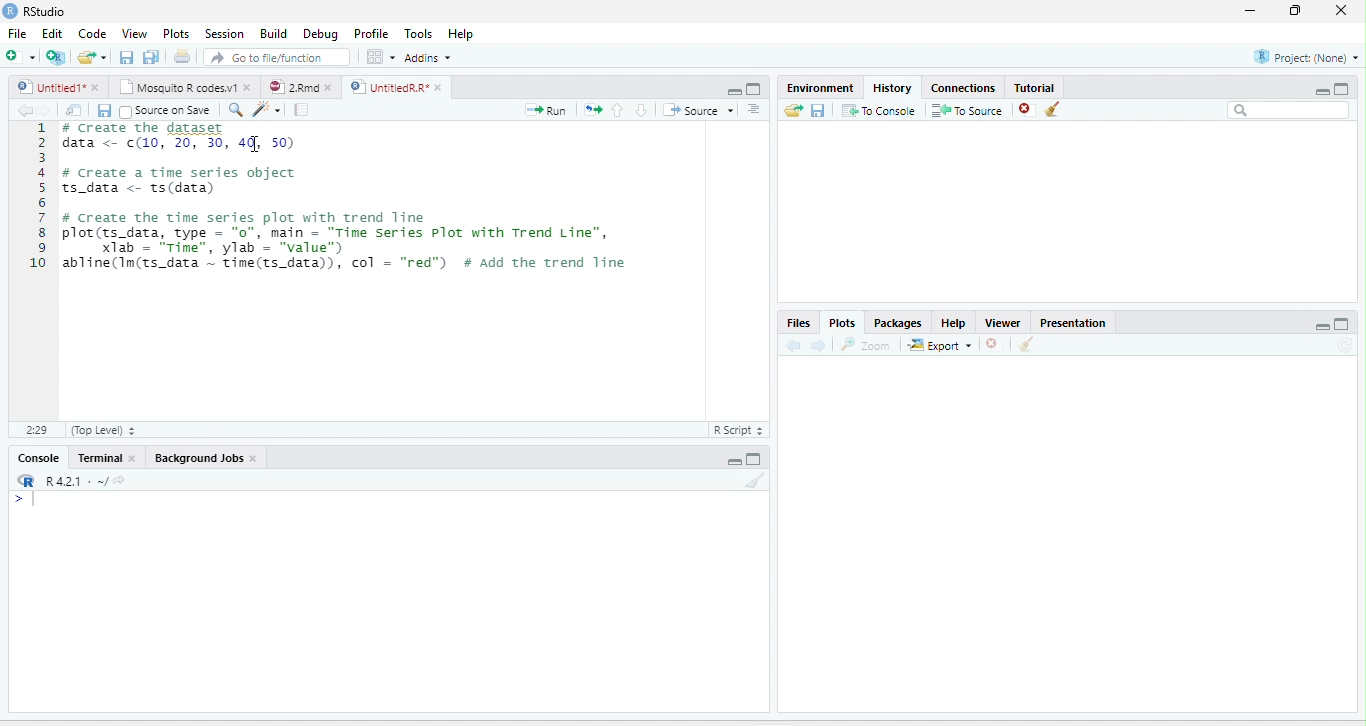 Image resolution: width=1366 pixels, height=726 pixels. What do you see at coordinates (93, 33) in the screenshot?
I see `Code` at bounding box center [93, 33].